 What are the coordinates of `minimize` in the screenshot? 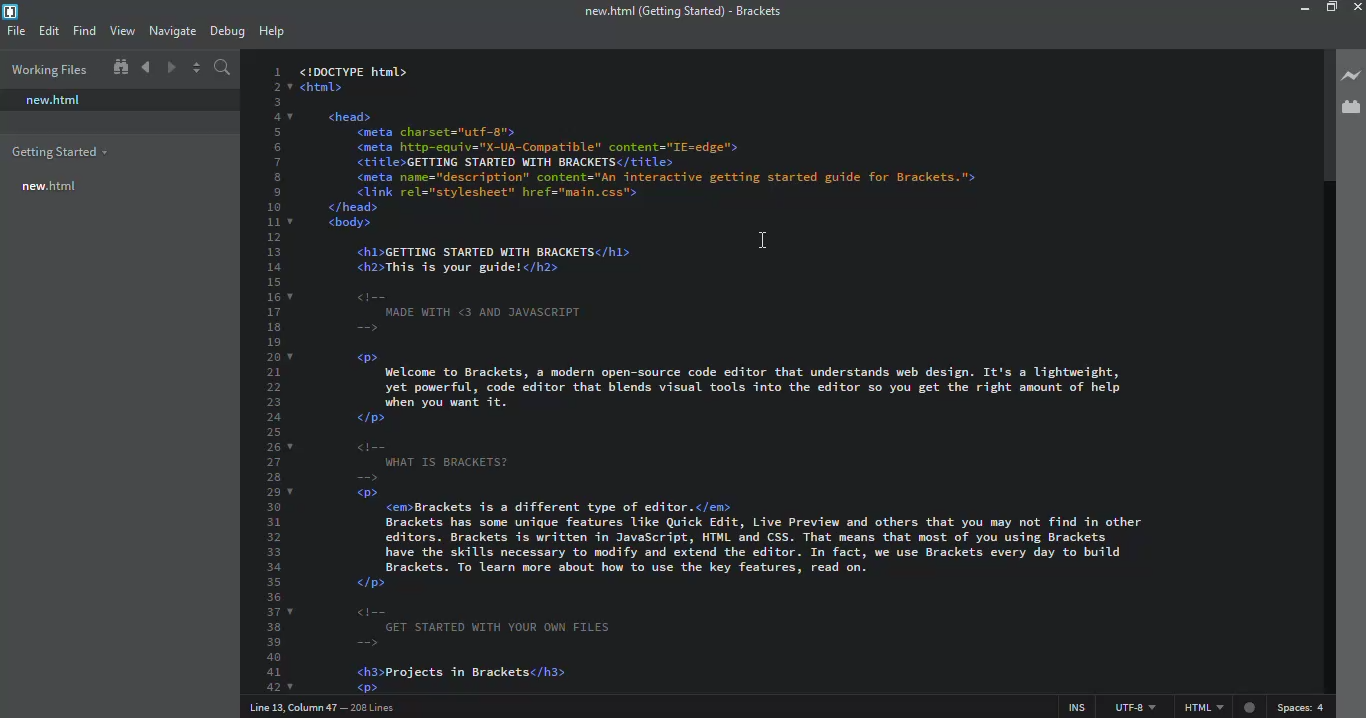 It's located at (1292, 10).